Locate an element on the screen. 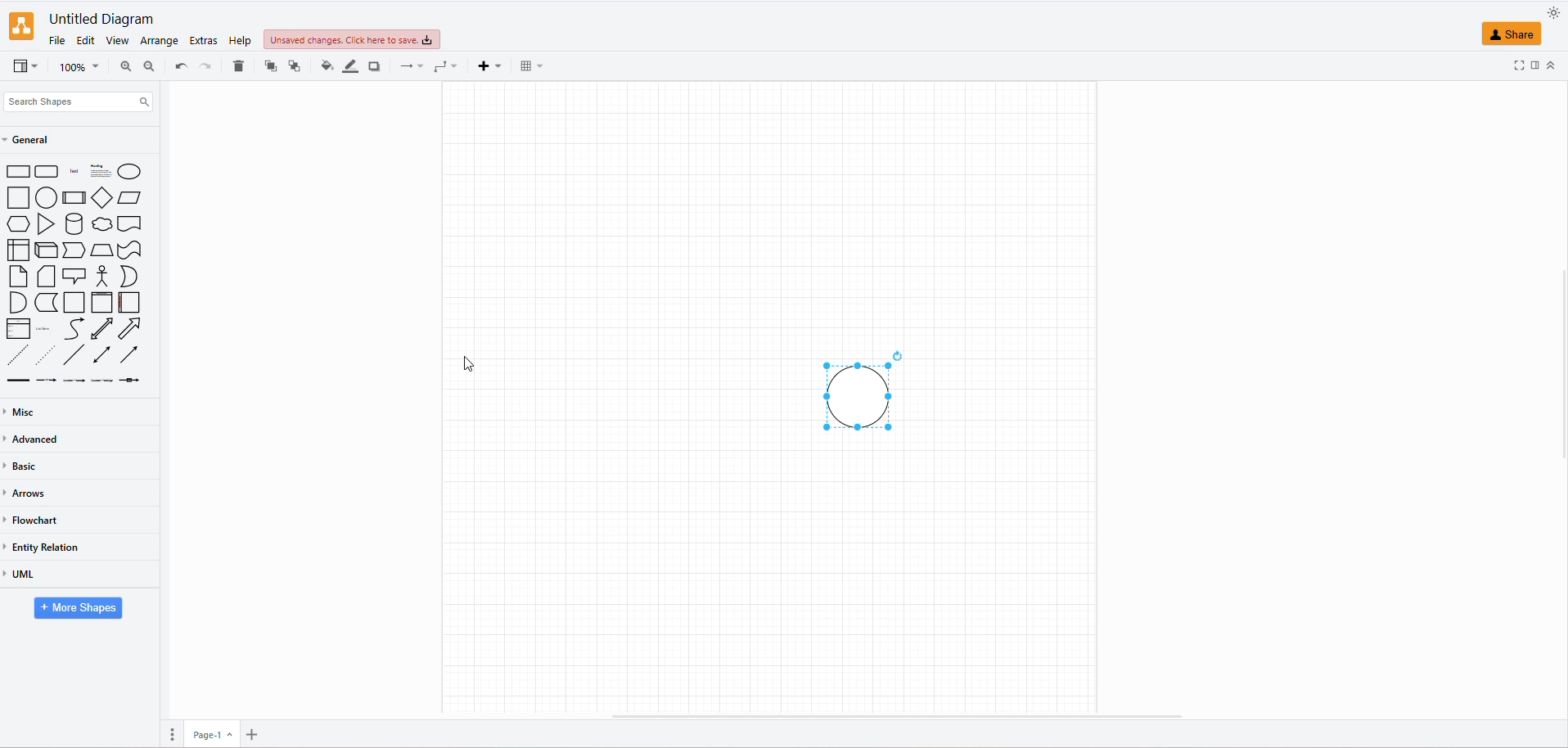 This screenshot has width=1568, height=748. VIEW is located at coordinates (113, 42).